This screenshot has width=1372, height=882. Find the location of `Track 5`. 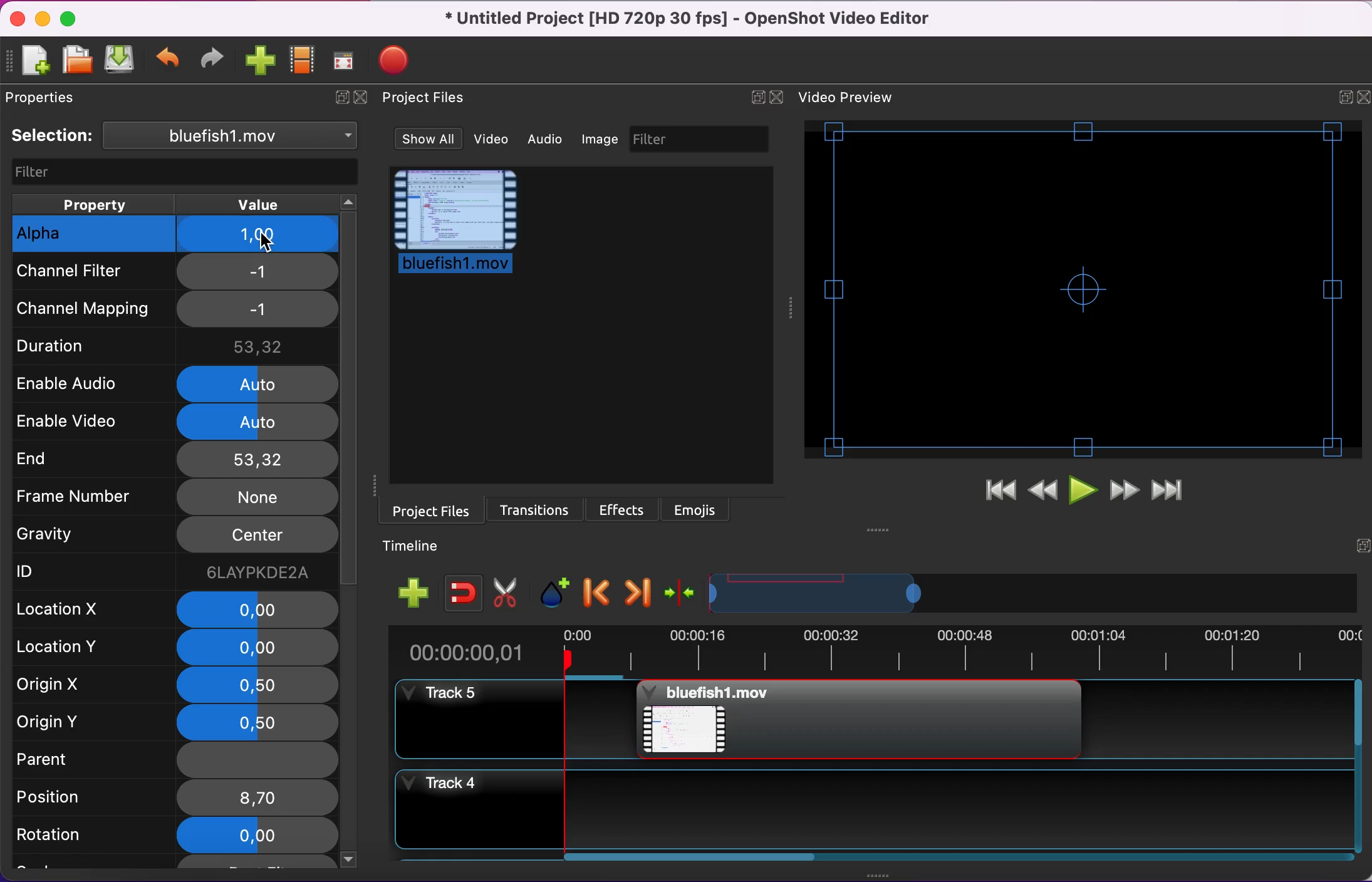

Track 5 is located at coordinates (1215, 720).